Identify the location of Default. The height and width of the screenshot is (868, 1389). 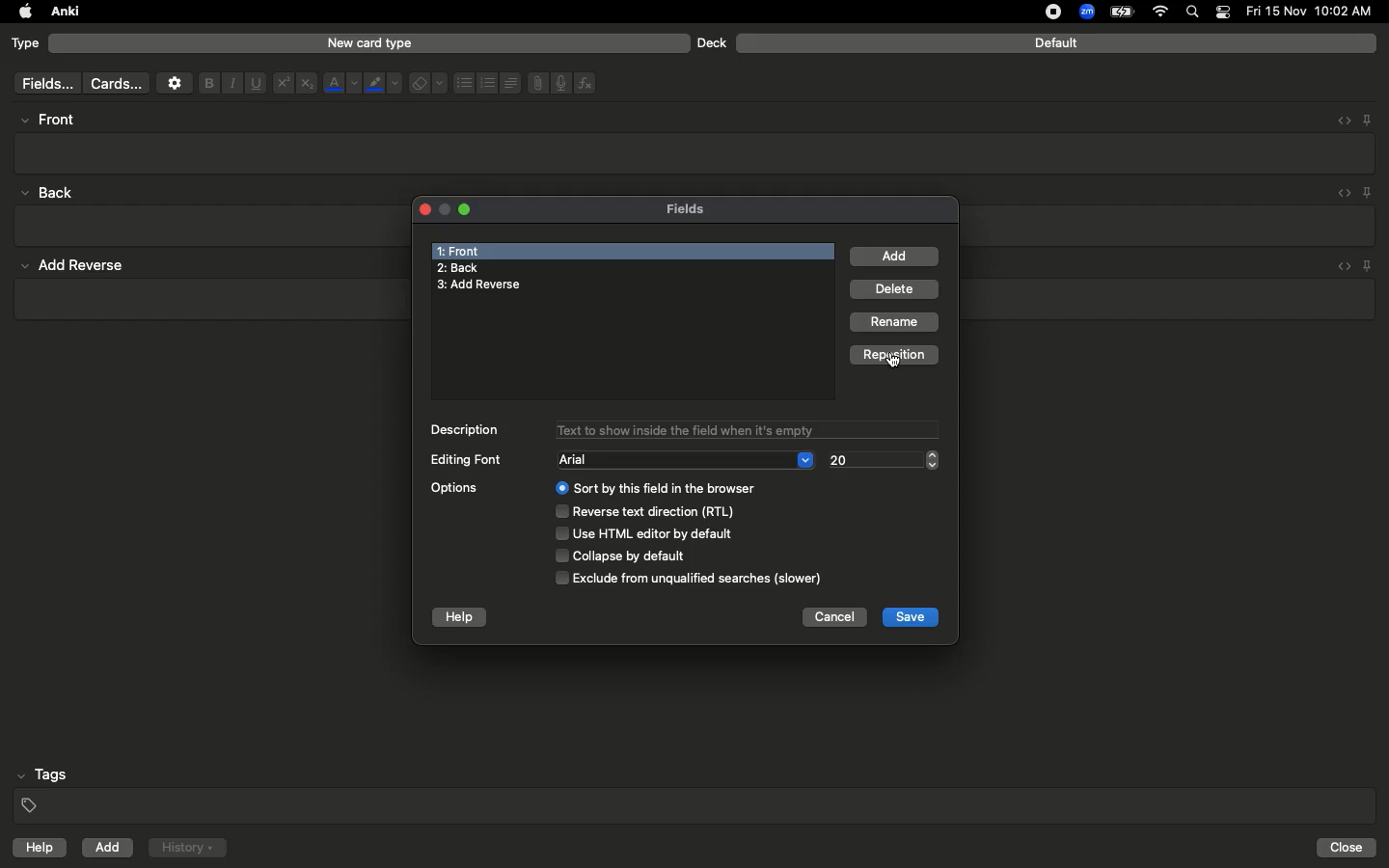
(1056, 43).